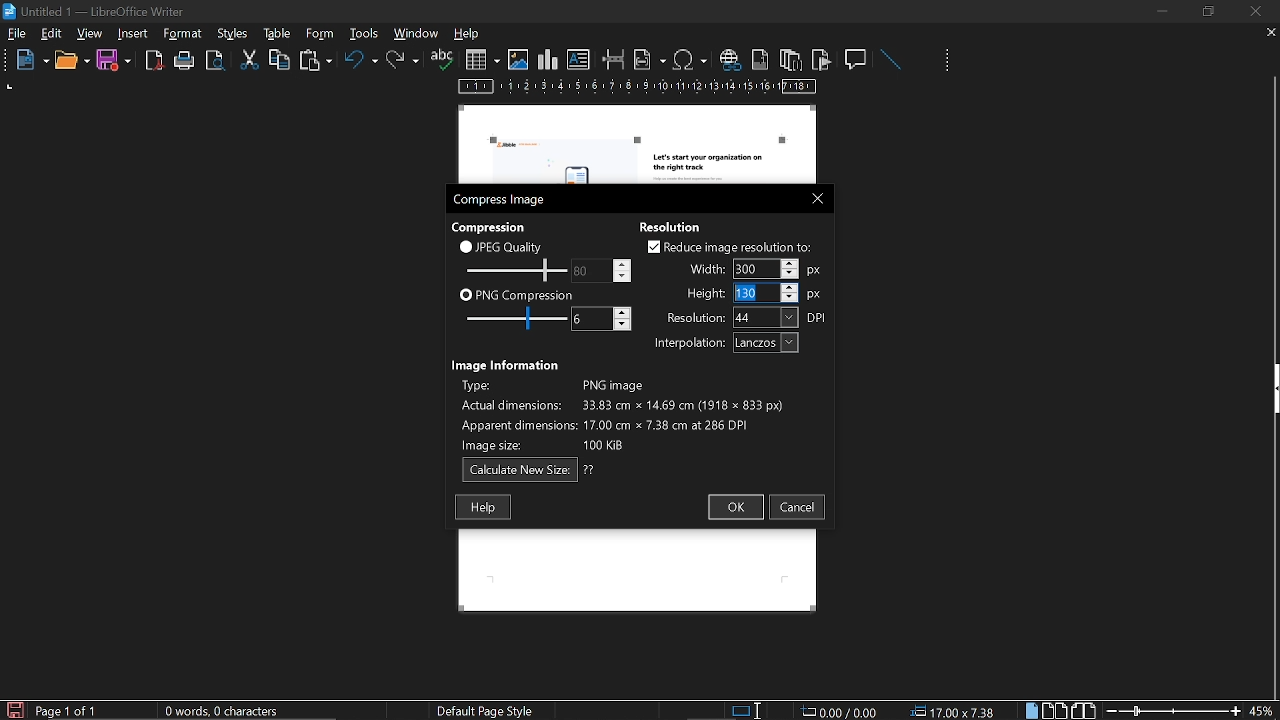 The width and height of the screenshot is (1280, 720). What do you see at coordinates (730, 246) in the screenshot?
I see `reduce image resolution` at bounding box center [730, 246].